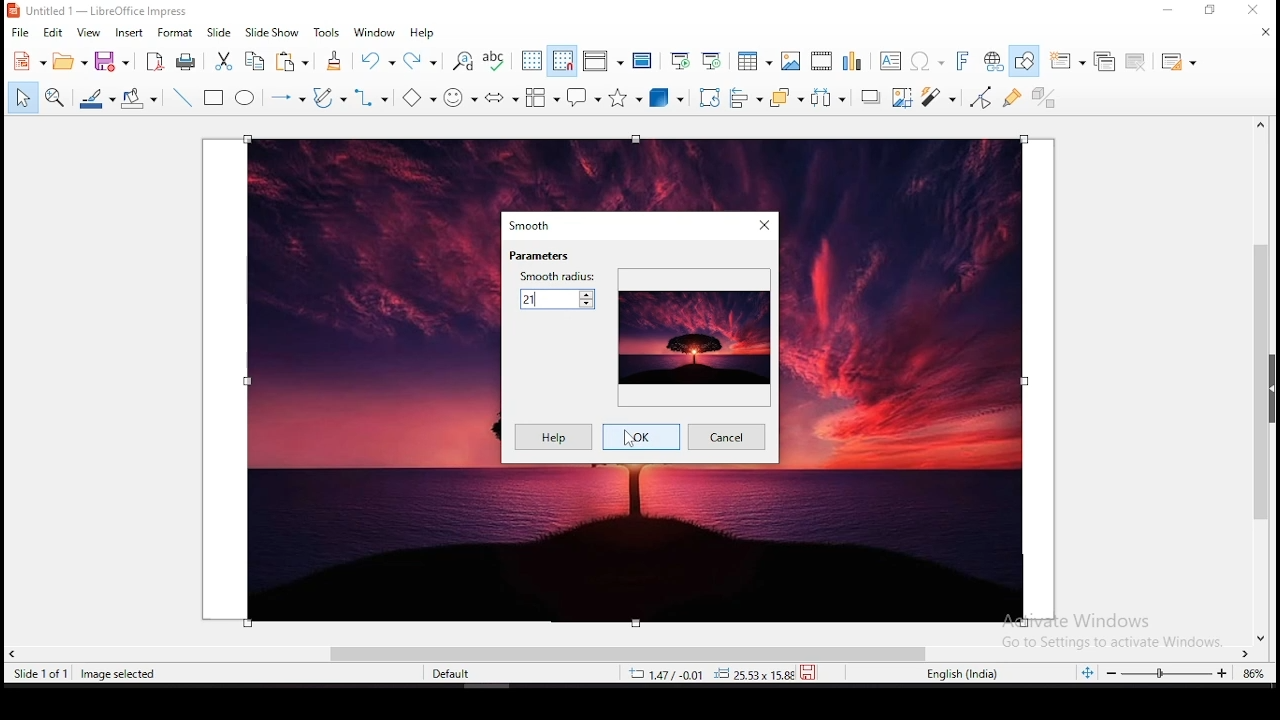 The height and width of the screenshot is (720, 1280). What do you see at coordinates (18, 33) in the screenshot?
I see `file` at bounding box center [18, 33].